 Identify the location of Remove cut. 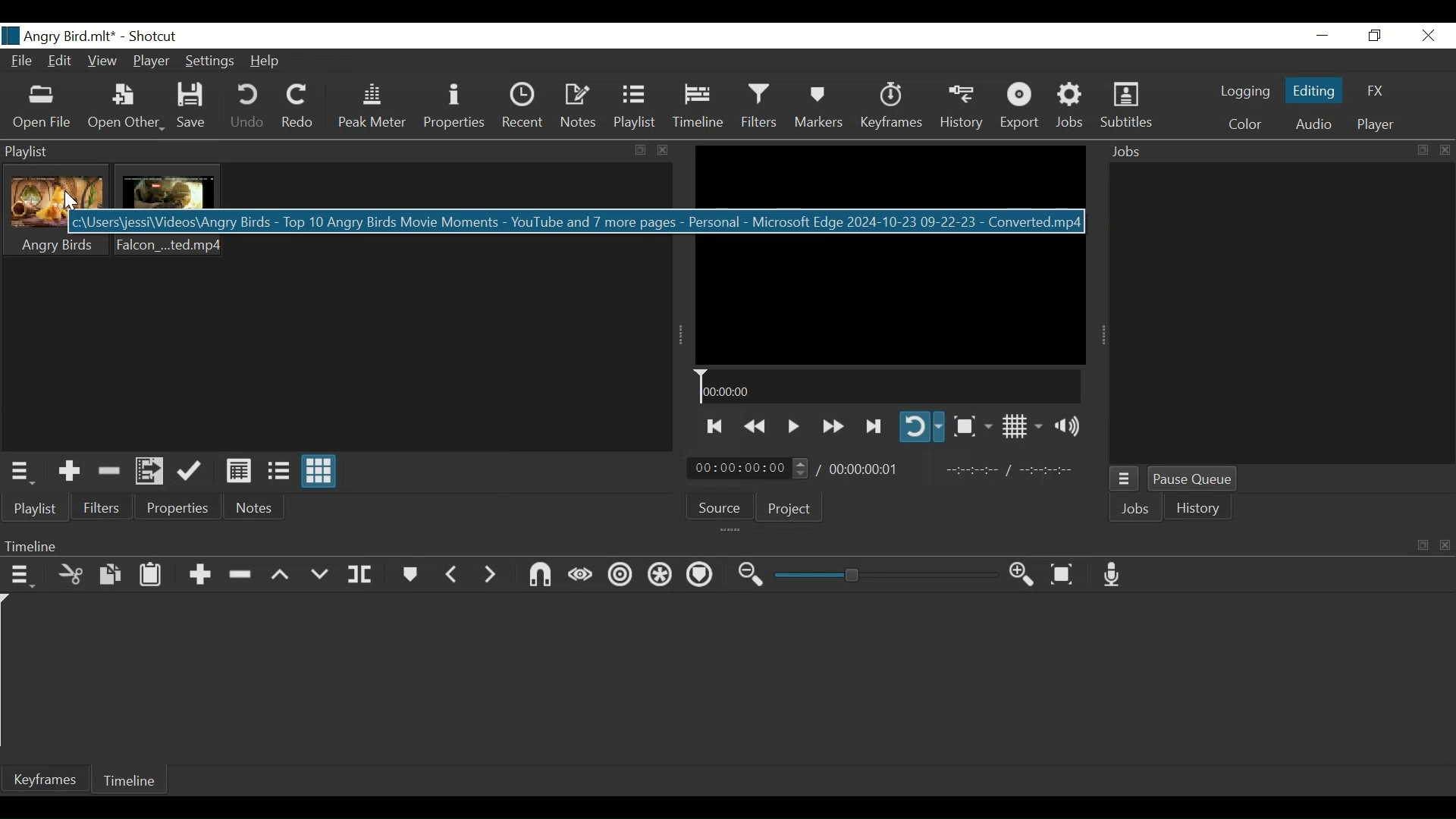
(110, 471).